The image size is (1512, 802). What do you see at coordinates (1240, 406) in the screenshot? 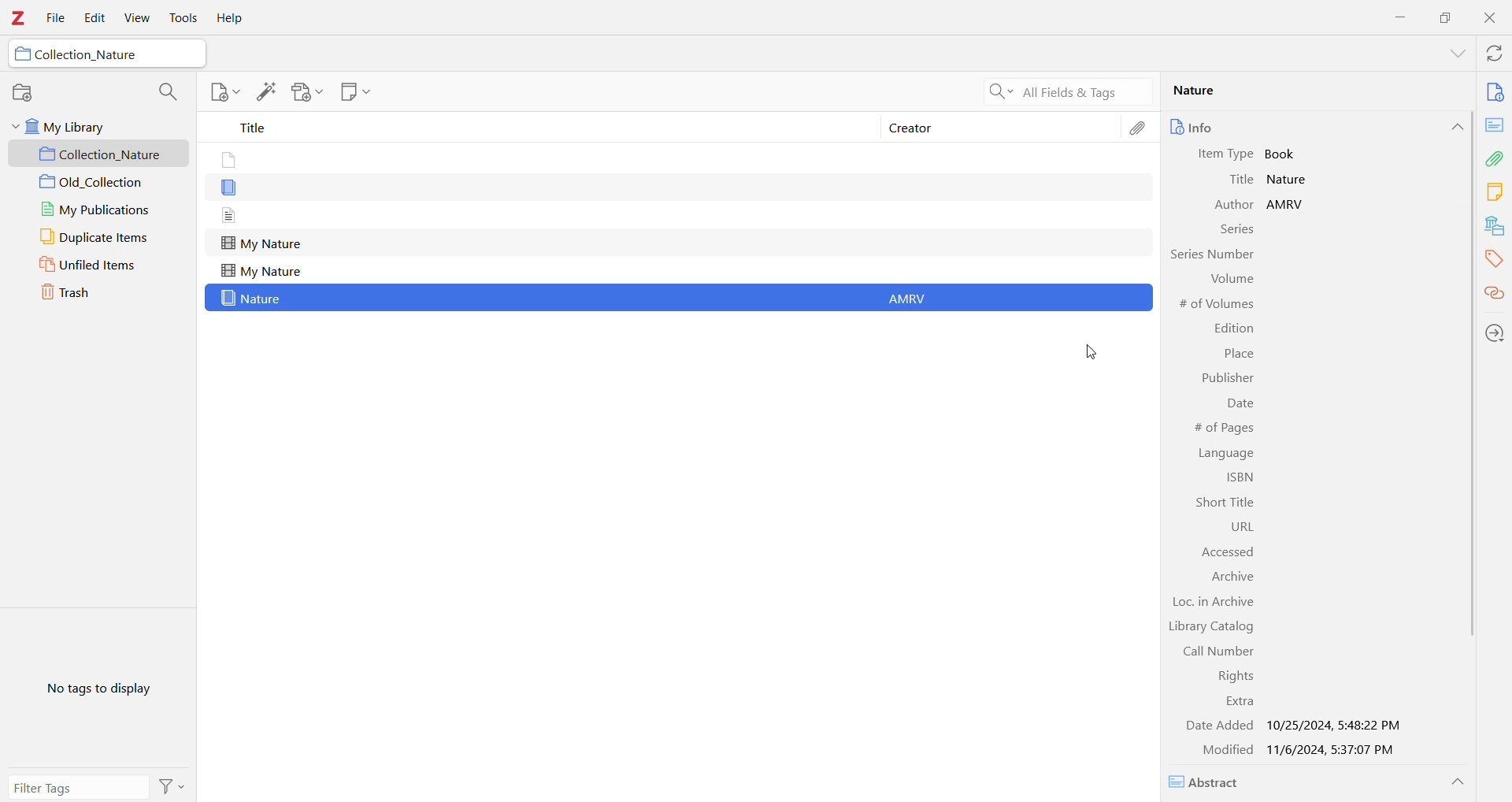
I see `Date` at bounding box center [1240, 406].